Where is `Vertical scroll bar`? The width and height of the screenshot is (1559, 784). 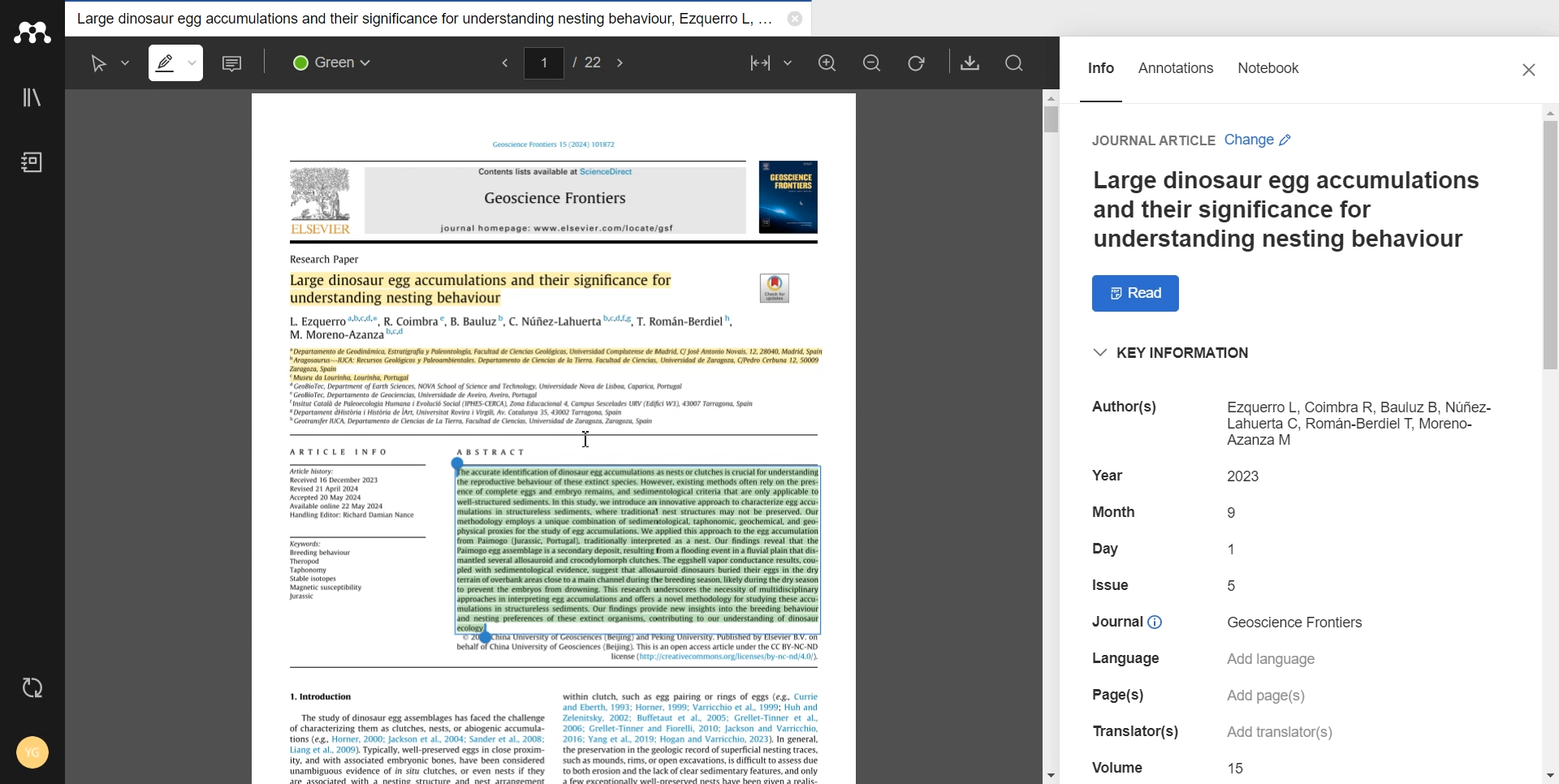
Vertical scroll bar is located at coordinates (1544, 444).